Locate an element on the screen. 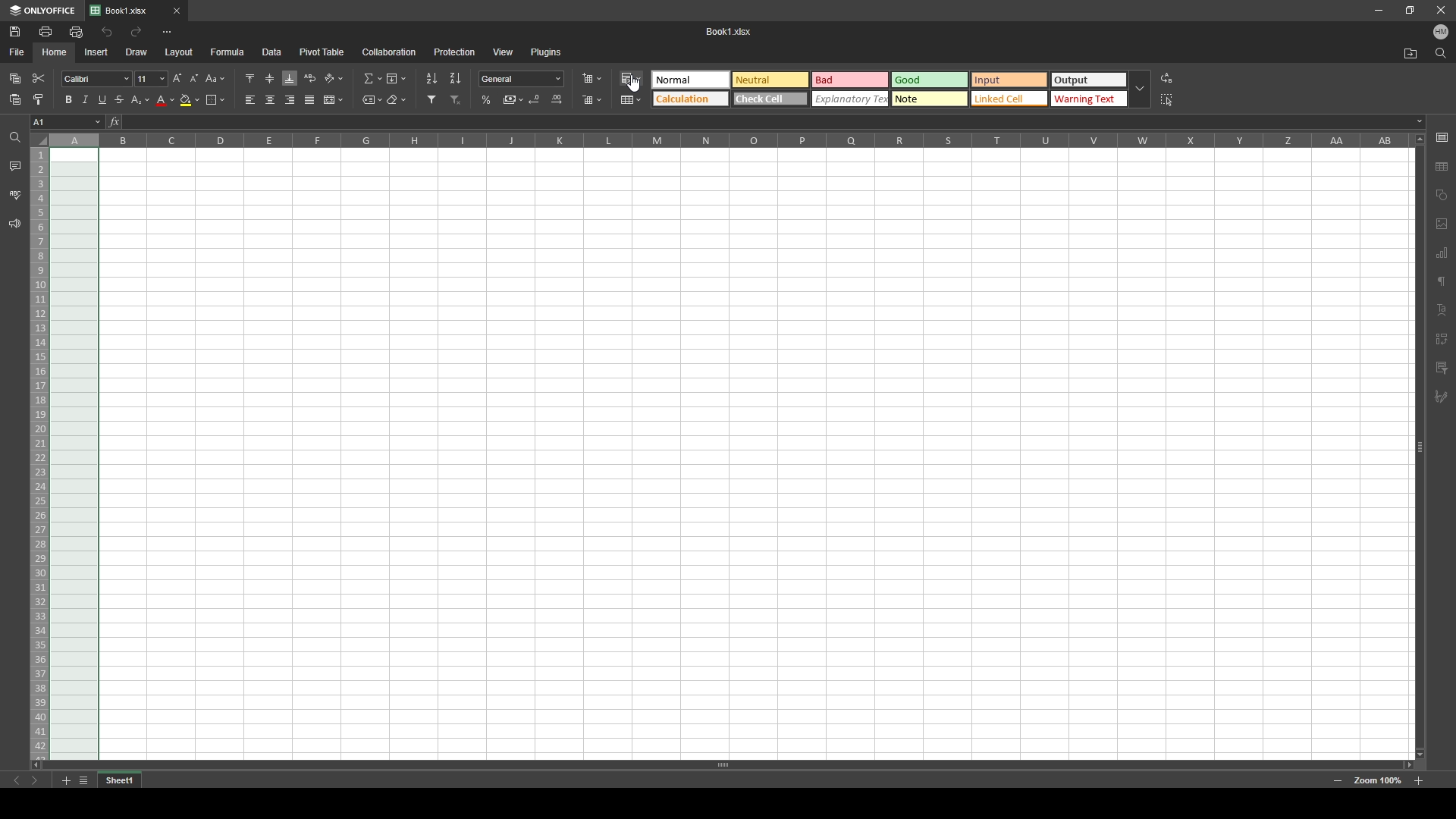  merge and center is located at coordinates (333, 99).